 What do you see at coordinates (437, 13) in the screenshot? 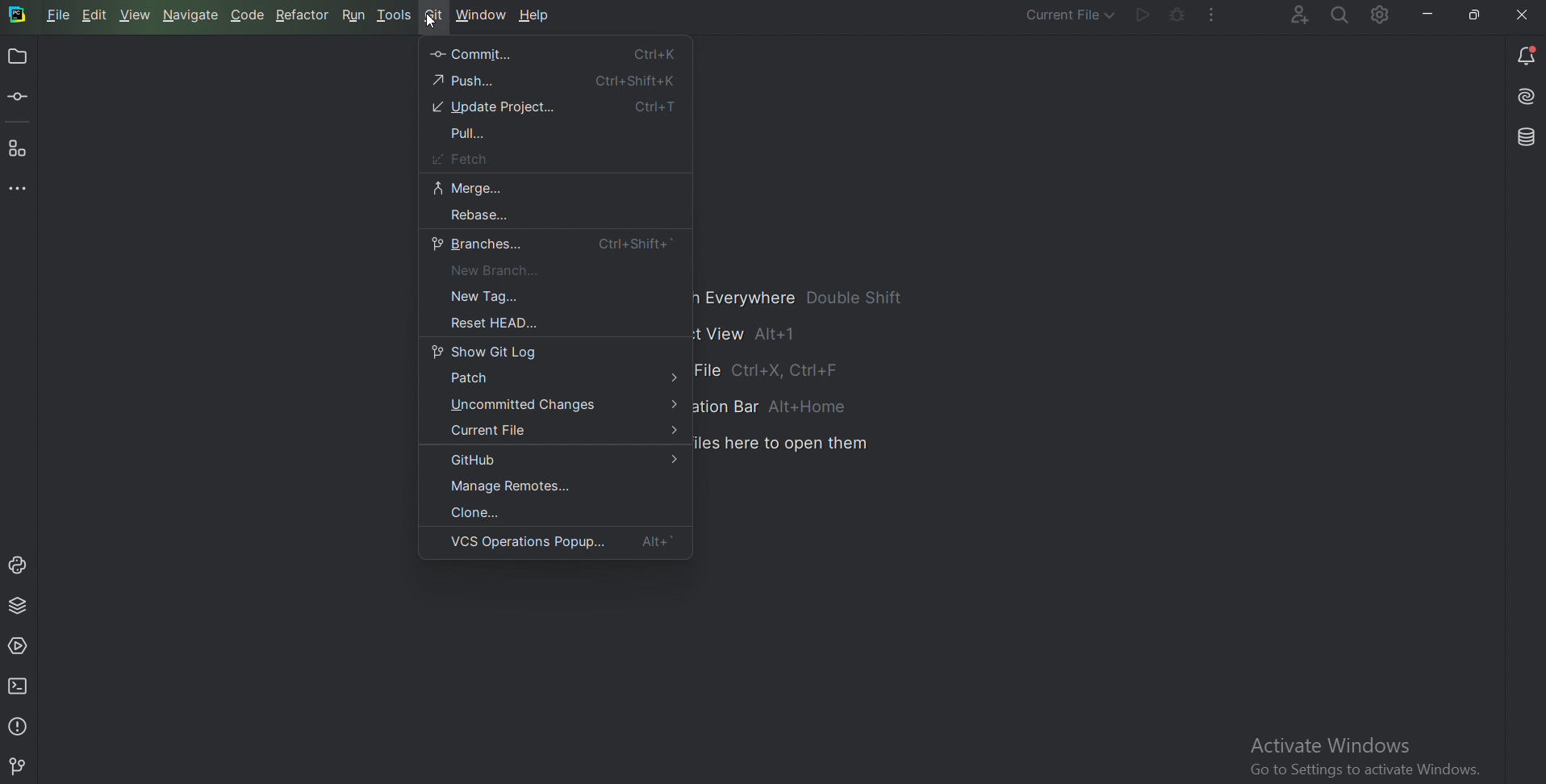
I see `Git` at bounding box center [437, 13].